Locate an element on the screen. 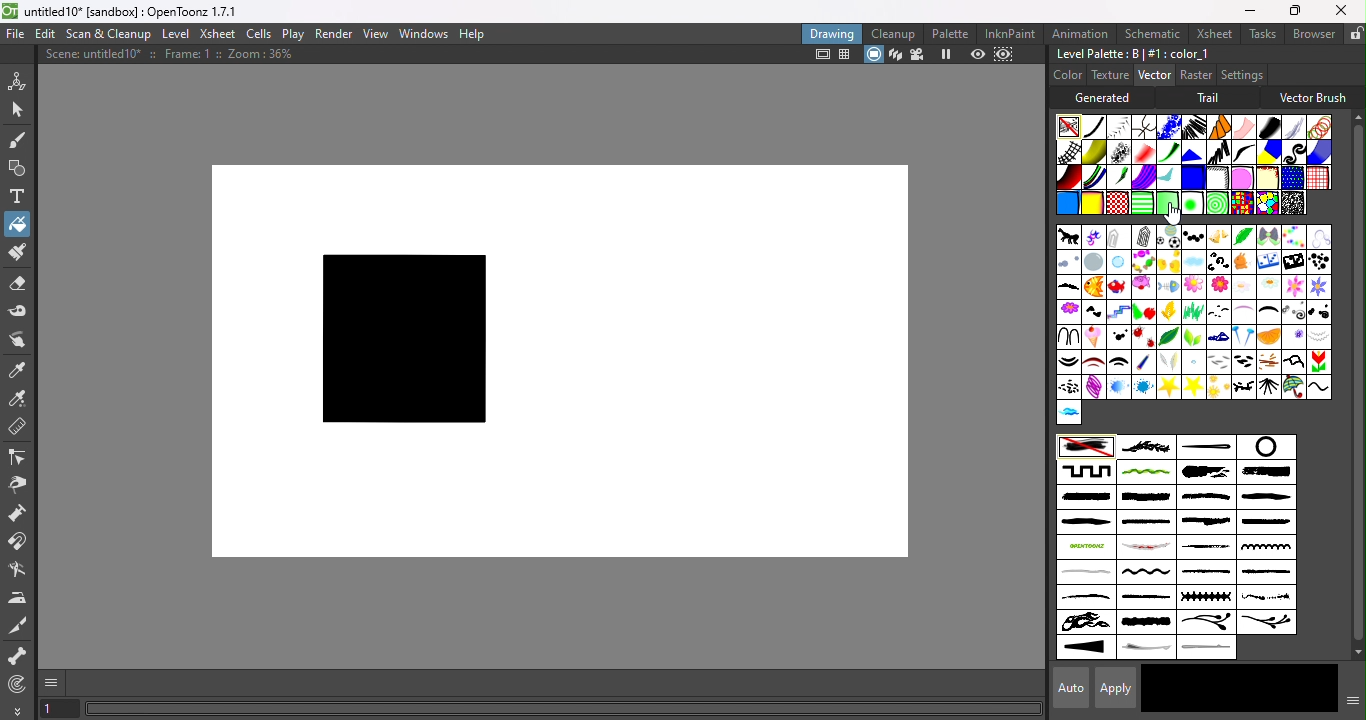  Edit is located at coordinates (43, 35).